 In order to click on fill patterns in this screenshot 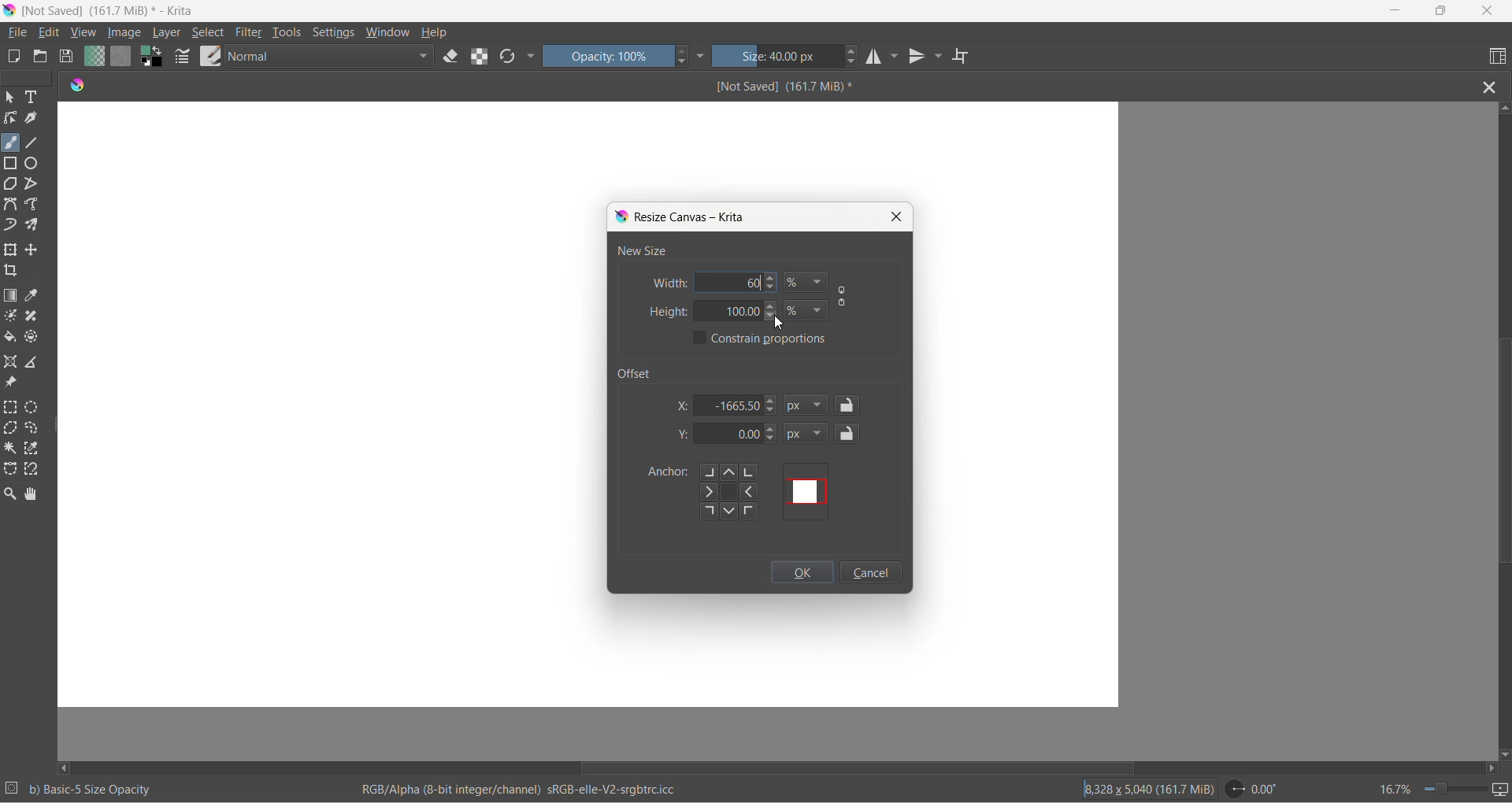, I will do `click(121, 58)`.